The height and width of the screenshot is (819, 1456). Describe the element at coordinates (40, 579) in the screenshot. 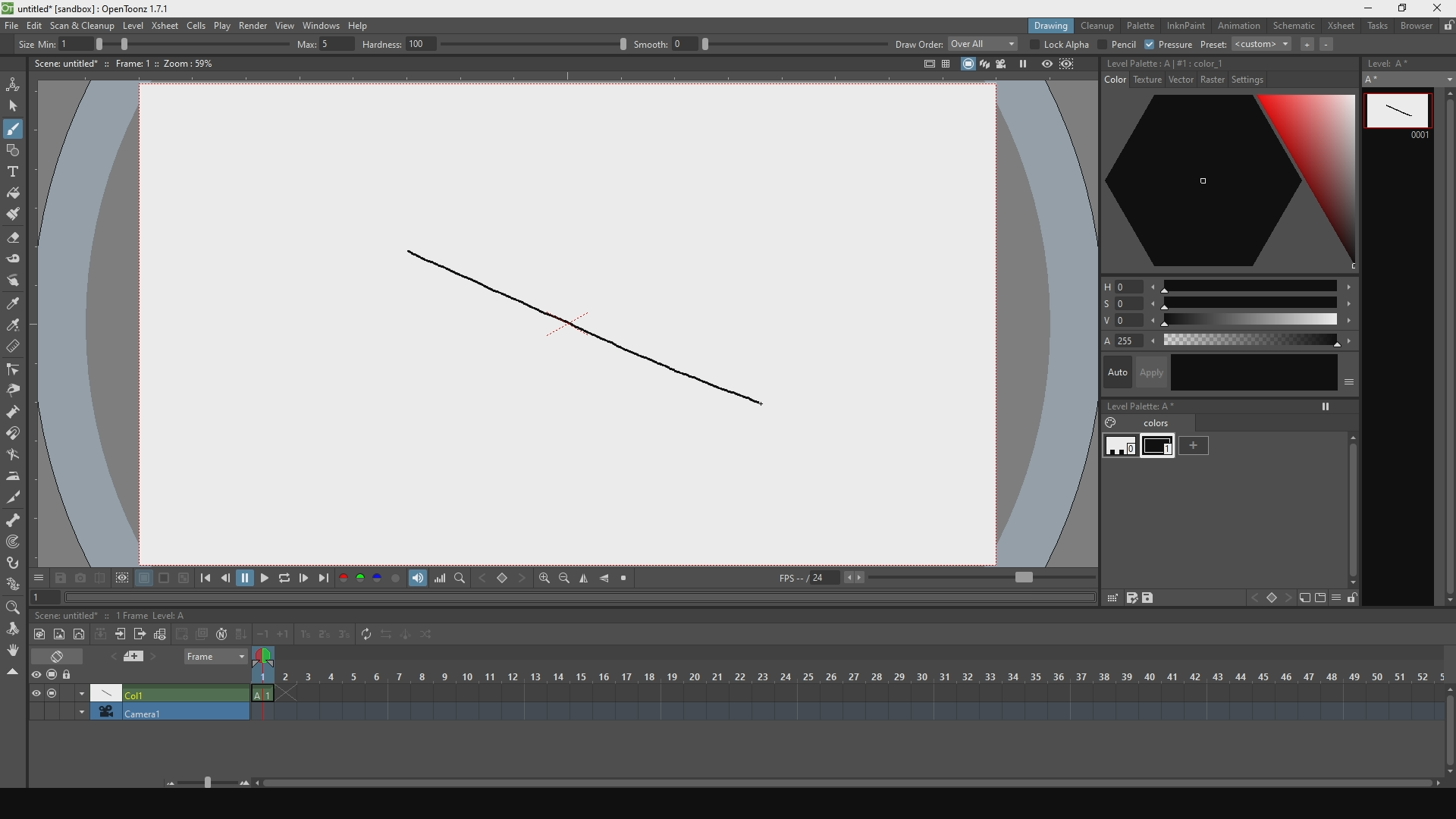

I see `options` at that location.